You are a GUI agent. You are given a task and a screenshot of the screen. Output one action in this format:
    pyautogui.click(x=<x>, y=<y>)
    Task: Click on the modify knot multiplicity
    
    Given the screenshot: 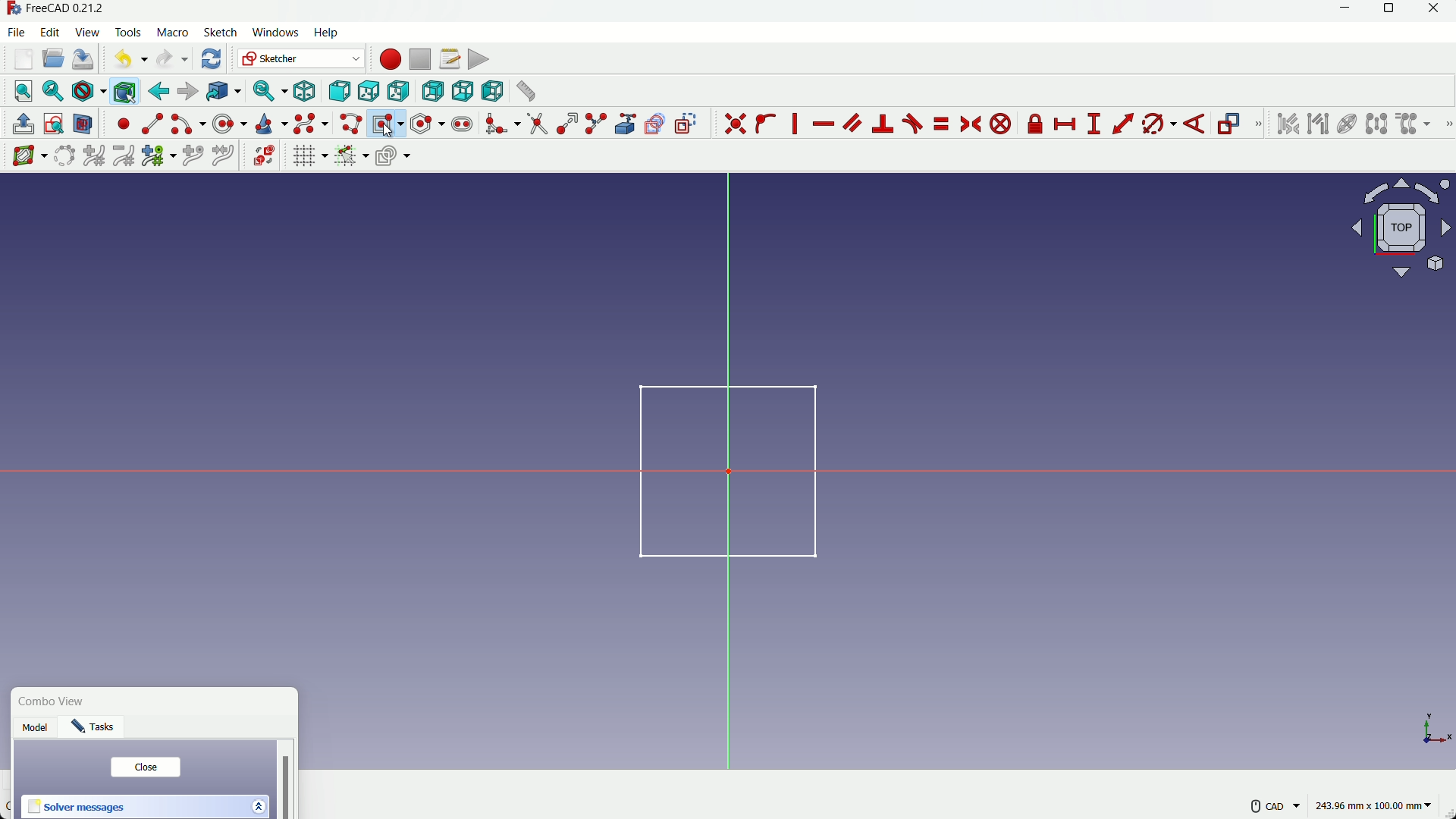 What is the action you would take?
    pyautogui.click(x=158, y=155)
    